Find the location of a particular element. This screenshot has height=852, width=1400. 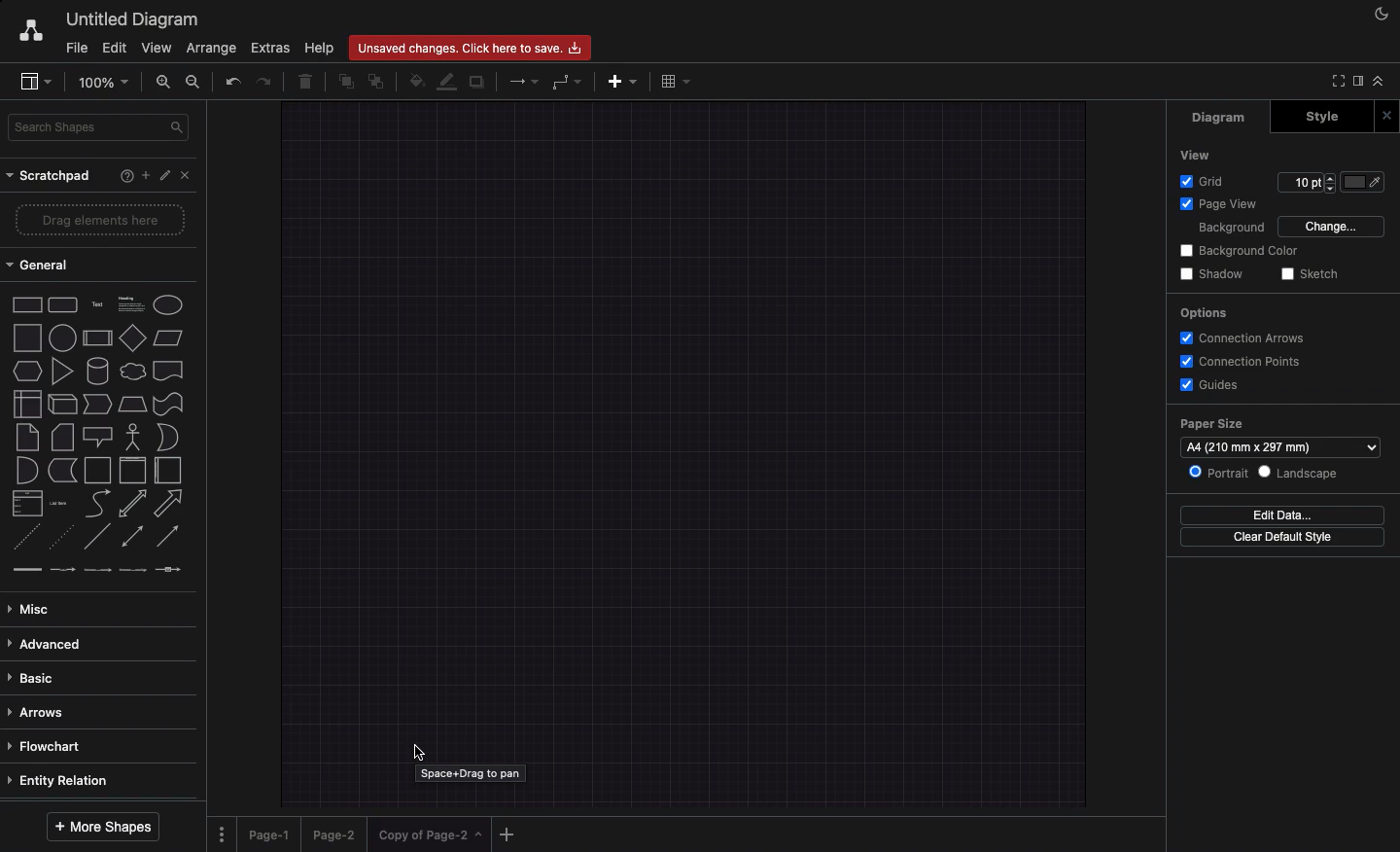

Redo is located at coordinates (262, 82).